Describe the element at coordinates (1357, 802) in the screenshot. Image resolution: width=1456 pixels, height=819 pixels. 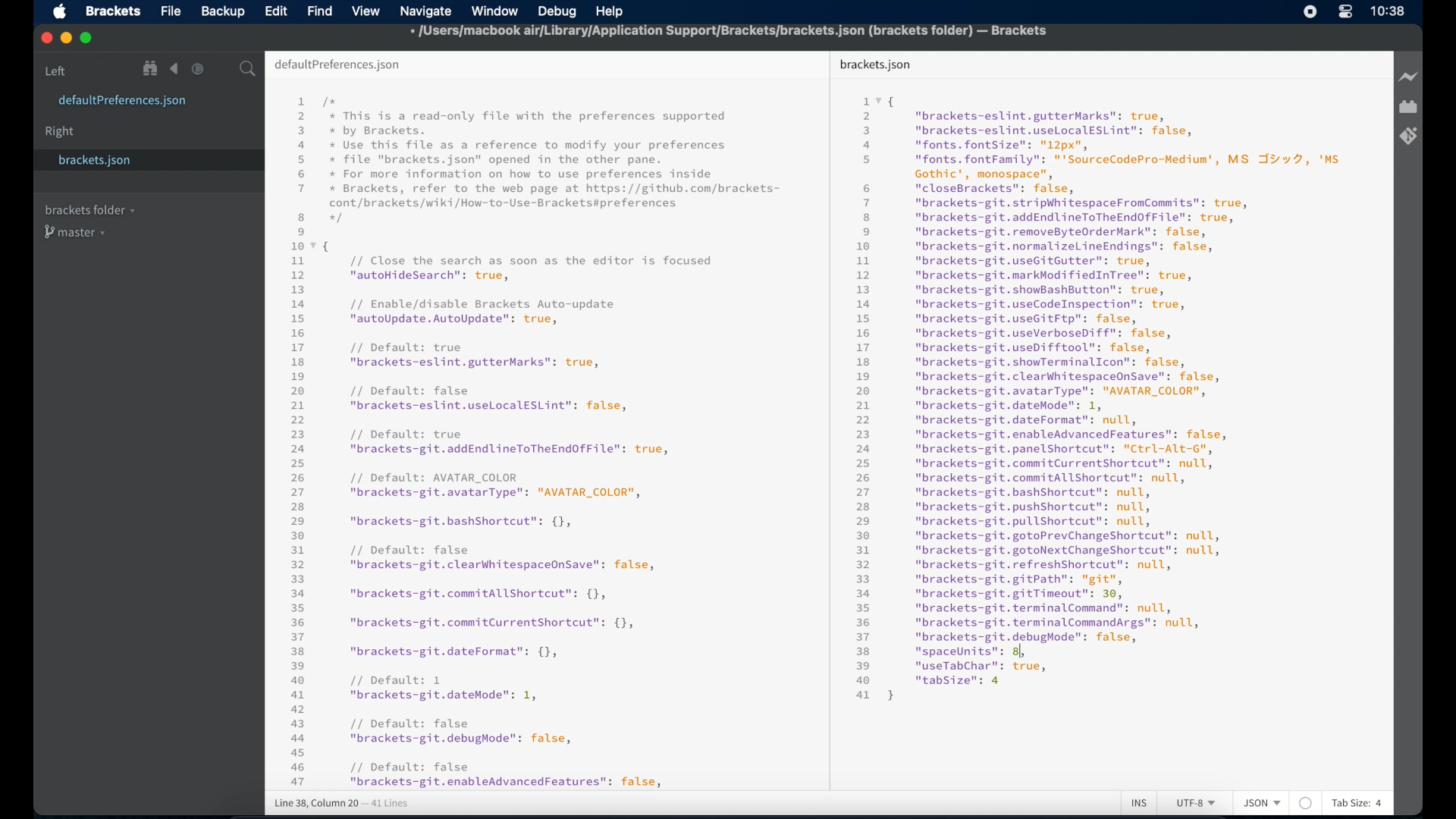
I see `tab size: 4` at that location.